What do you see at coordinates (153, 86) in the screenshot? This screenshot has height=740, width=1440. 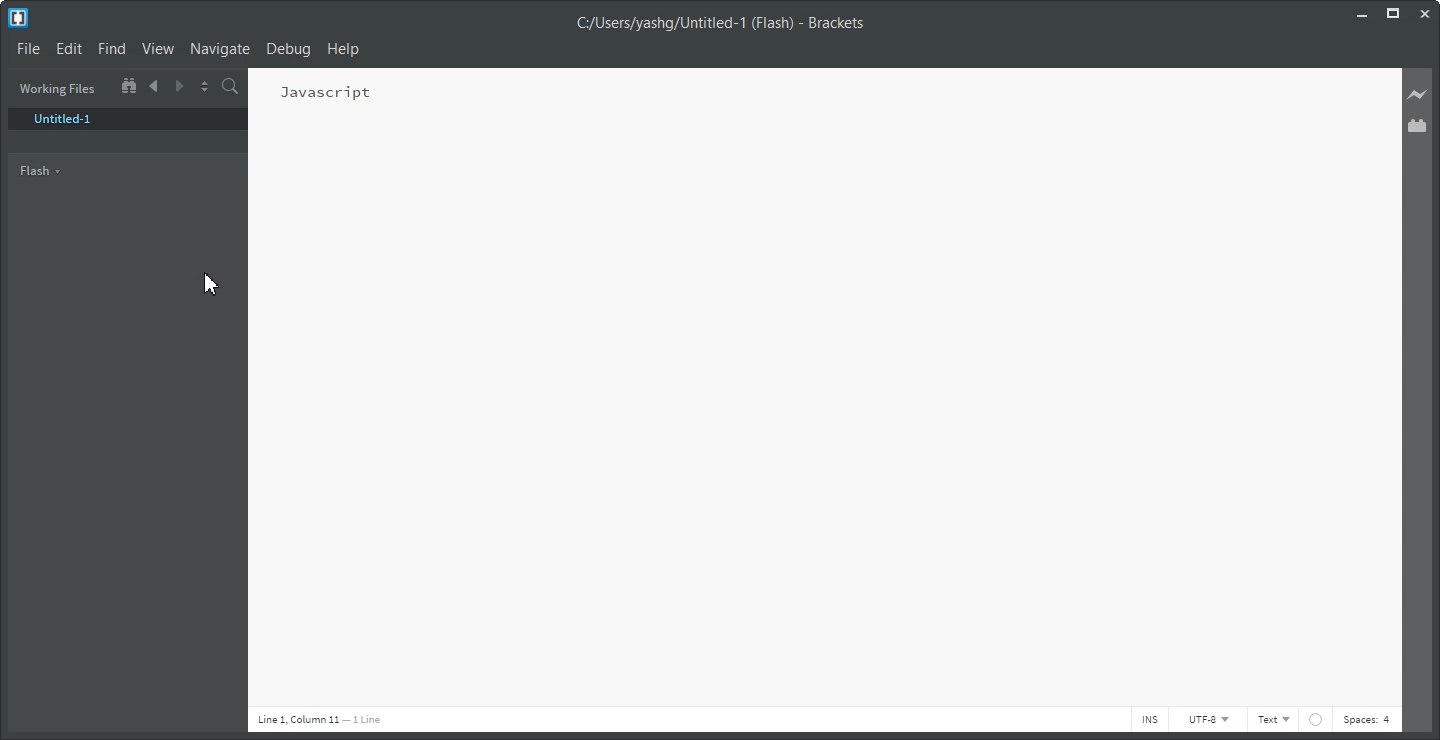 I see `Navigate Backwards` at bounding box center [153, 86].